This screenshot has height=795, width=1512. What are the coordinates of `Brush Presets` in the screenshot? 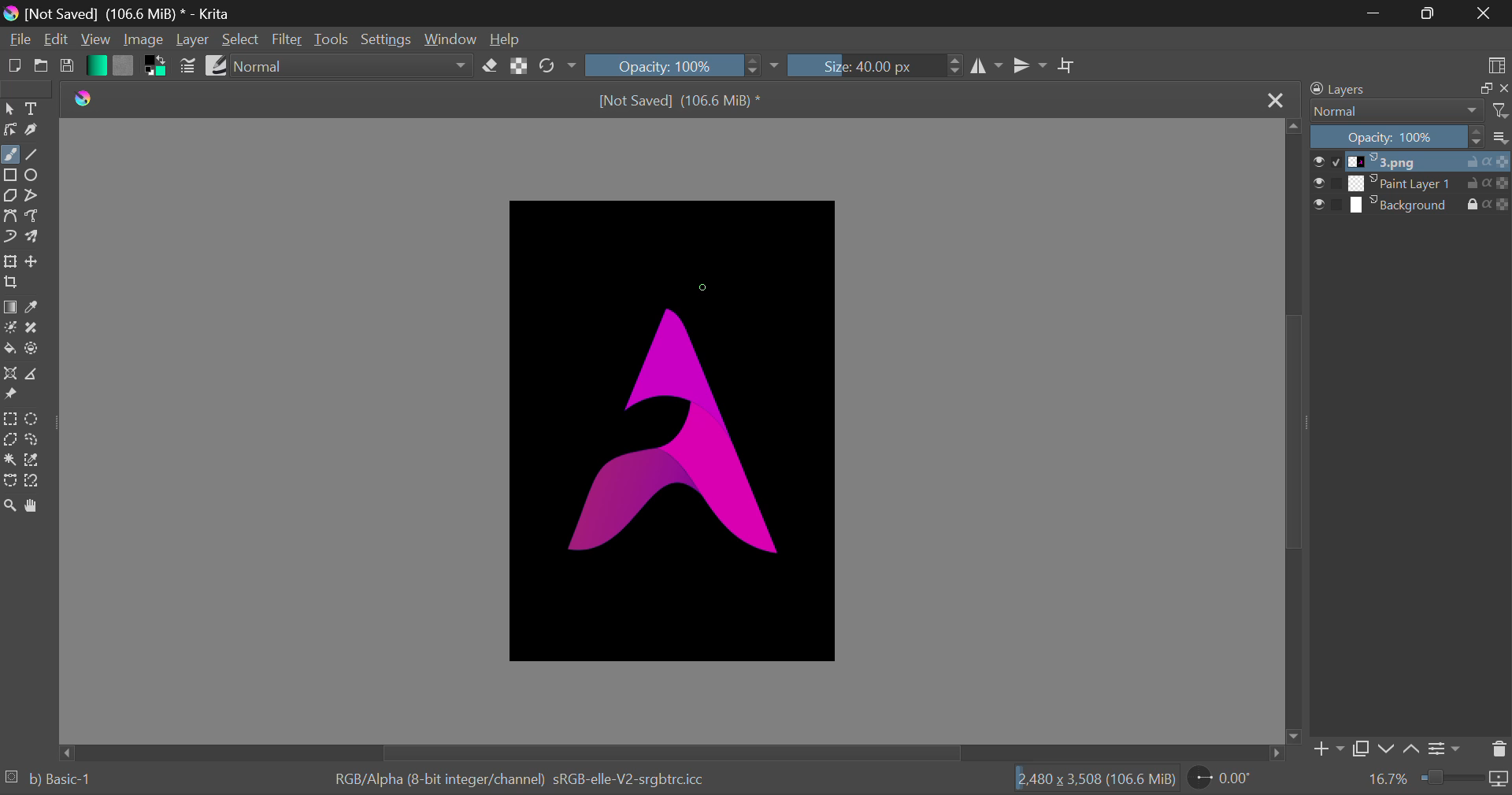 It's located at (217, 65).